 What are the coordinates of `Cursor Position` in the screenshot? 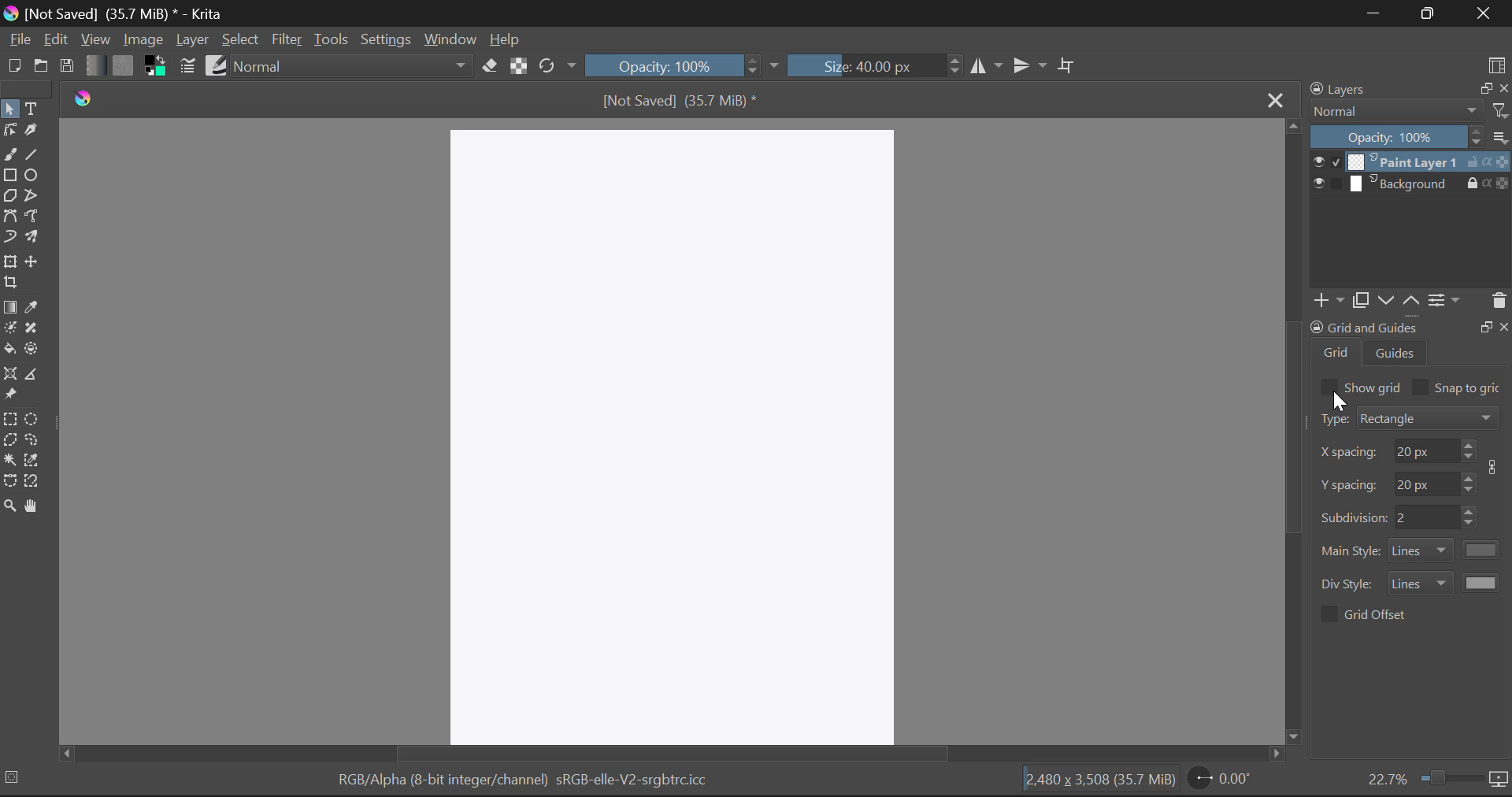 It's located at (1339, 401).